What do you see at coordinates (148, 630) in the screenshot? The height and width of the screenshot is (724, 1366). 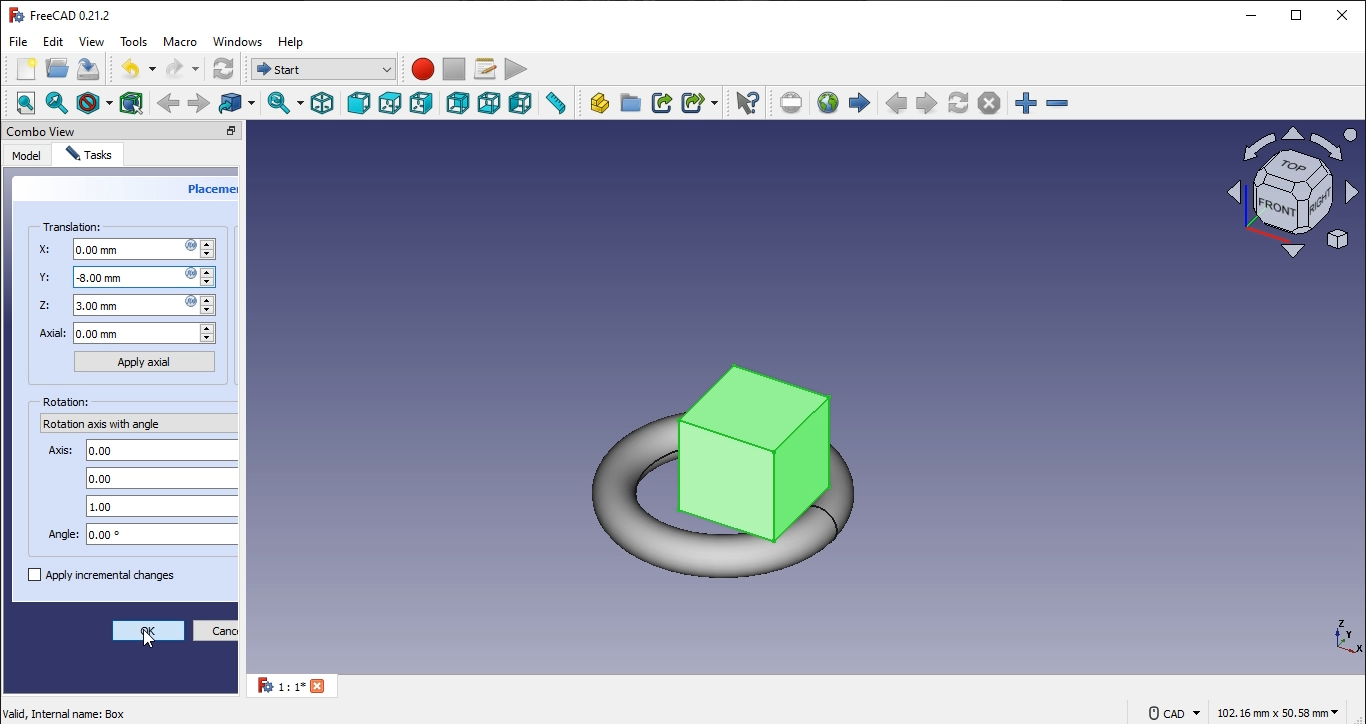 I see `ok` at bounding box center [148, 630].